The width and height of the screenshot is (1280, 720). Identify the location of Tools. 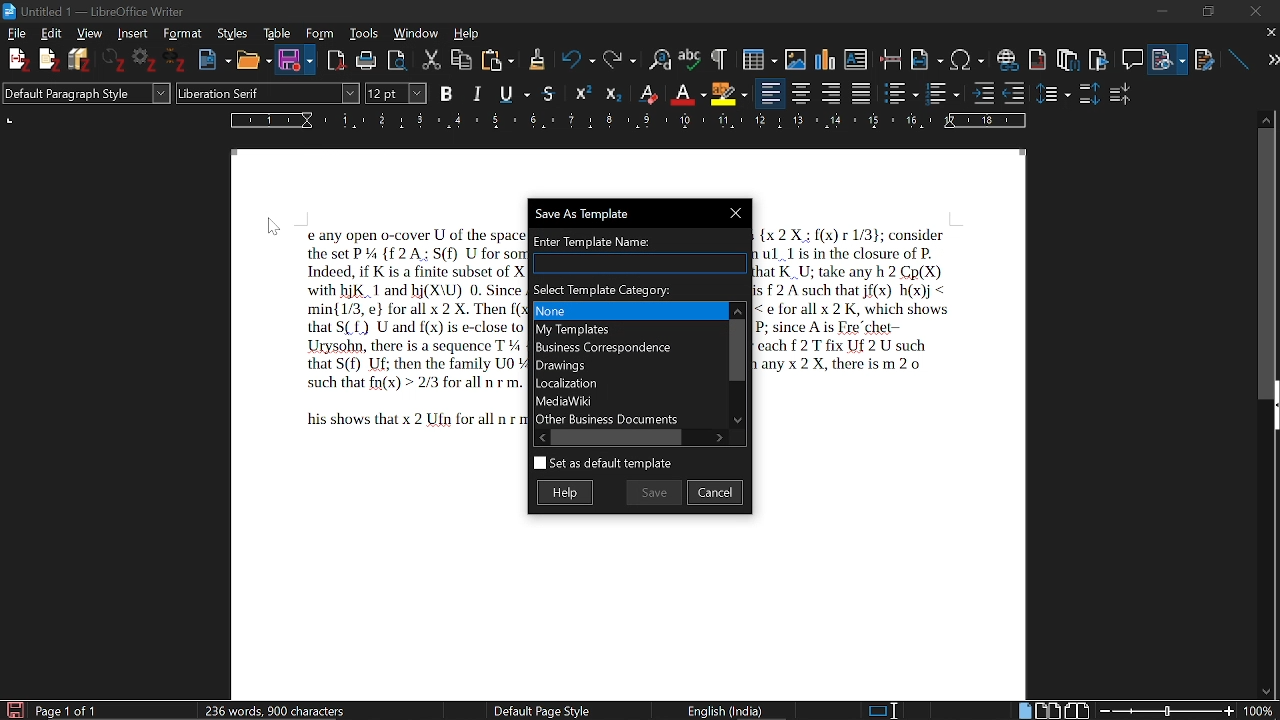
(361, 33).